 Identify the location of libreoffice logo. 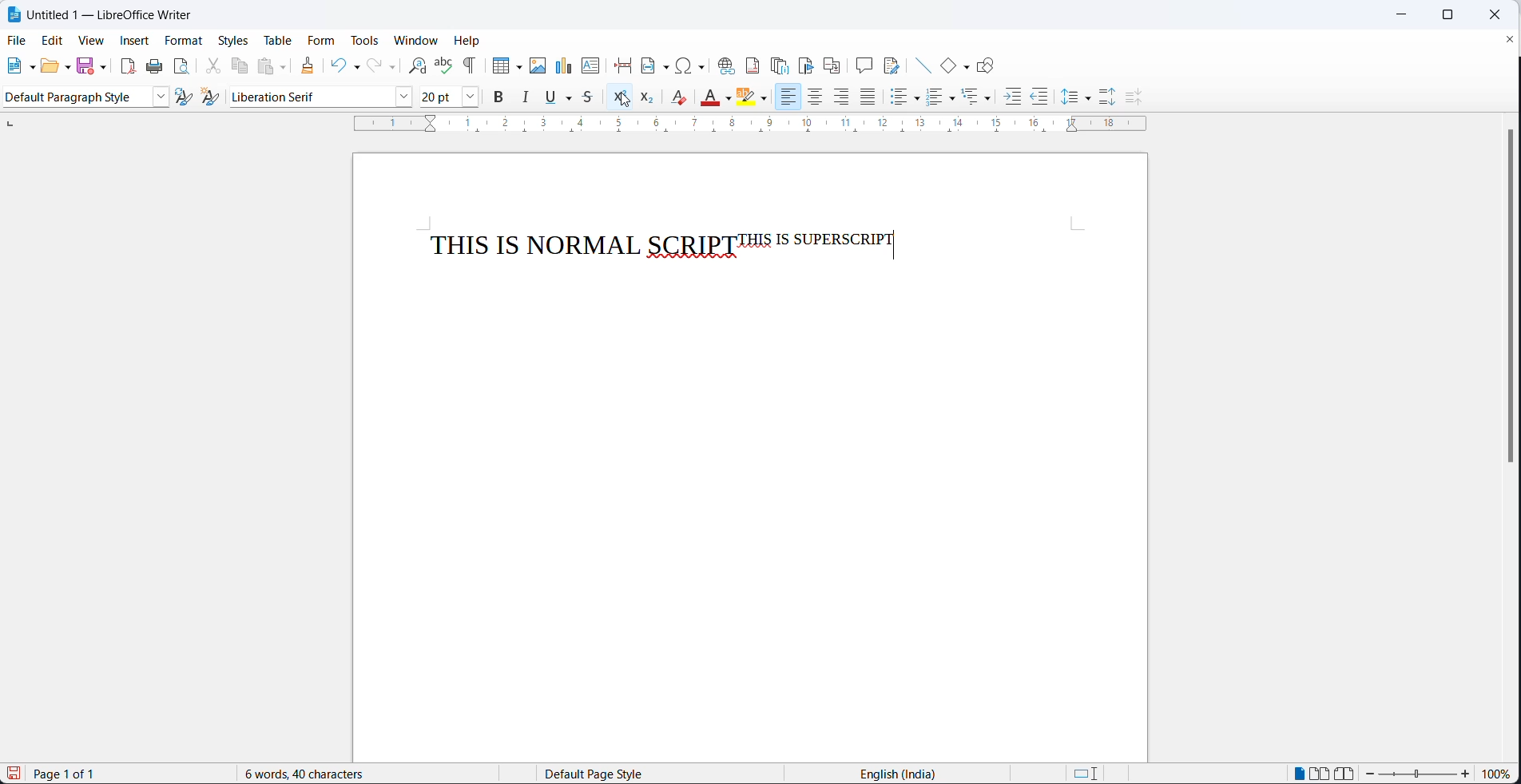
(14, 14).